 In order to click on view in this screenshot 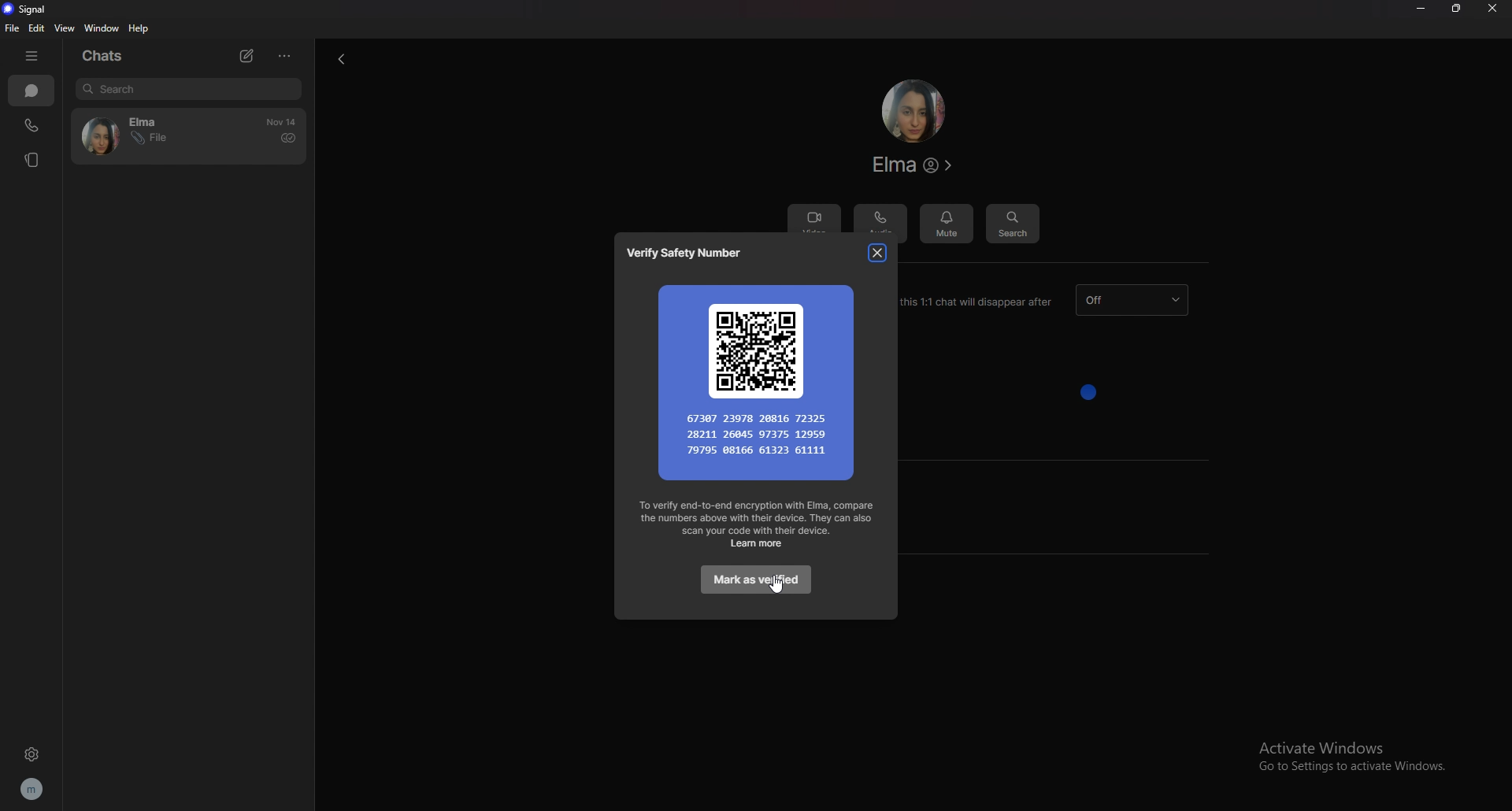, I will do `click(65, 28)`.